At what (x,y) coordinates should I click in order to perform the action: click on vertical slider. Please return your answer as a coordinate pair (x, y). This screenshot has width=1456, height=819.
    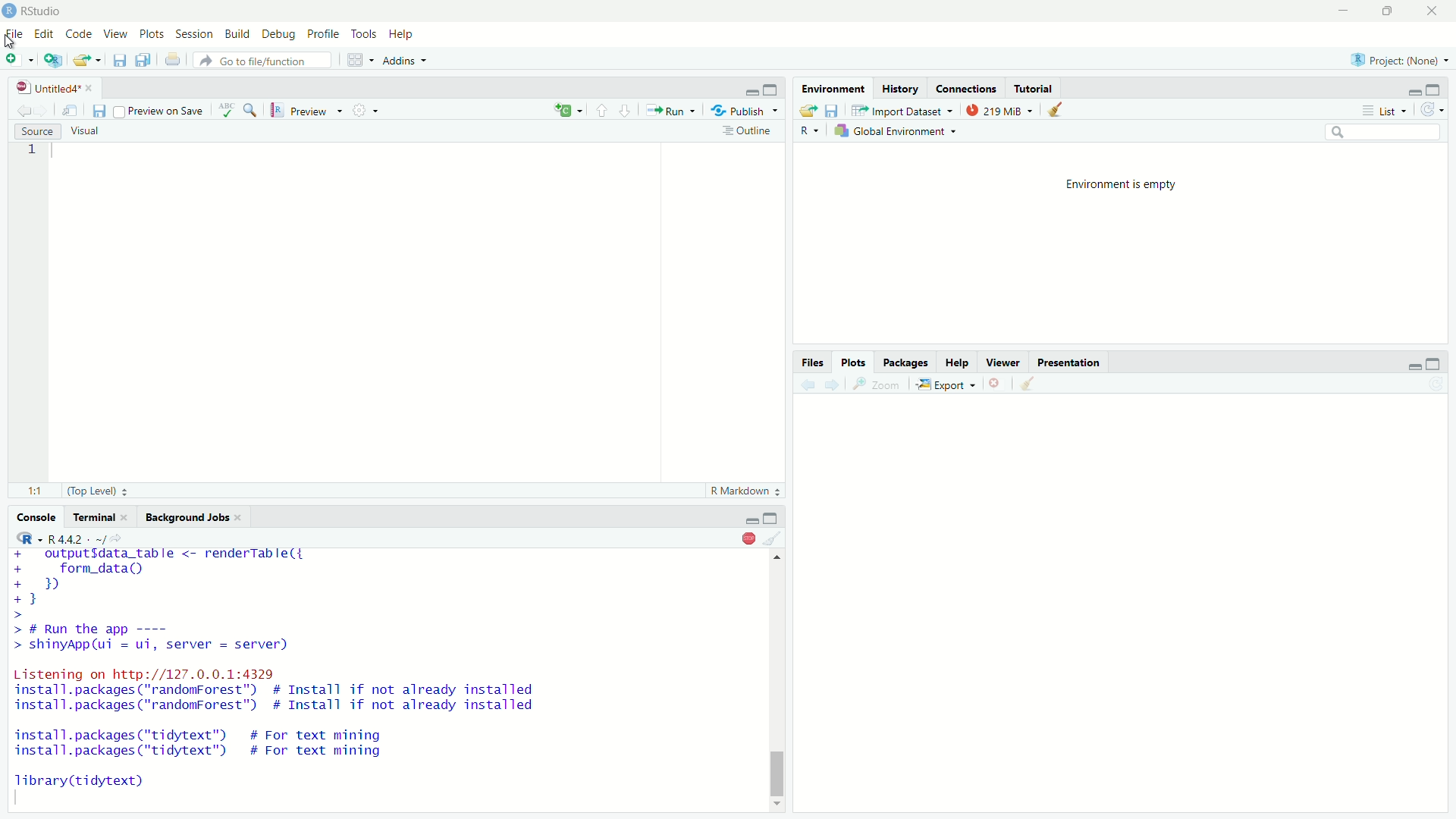
    Looking at the image, I should click on (779, 768).